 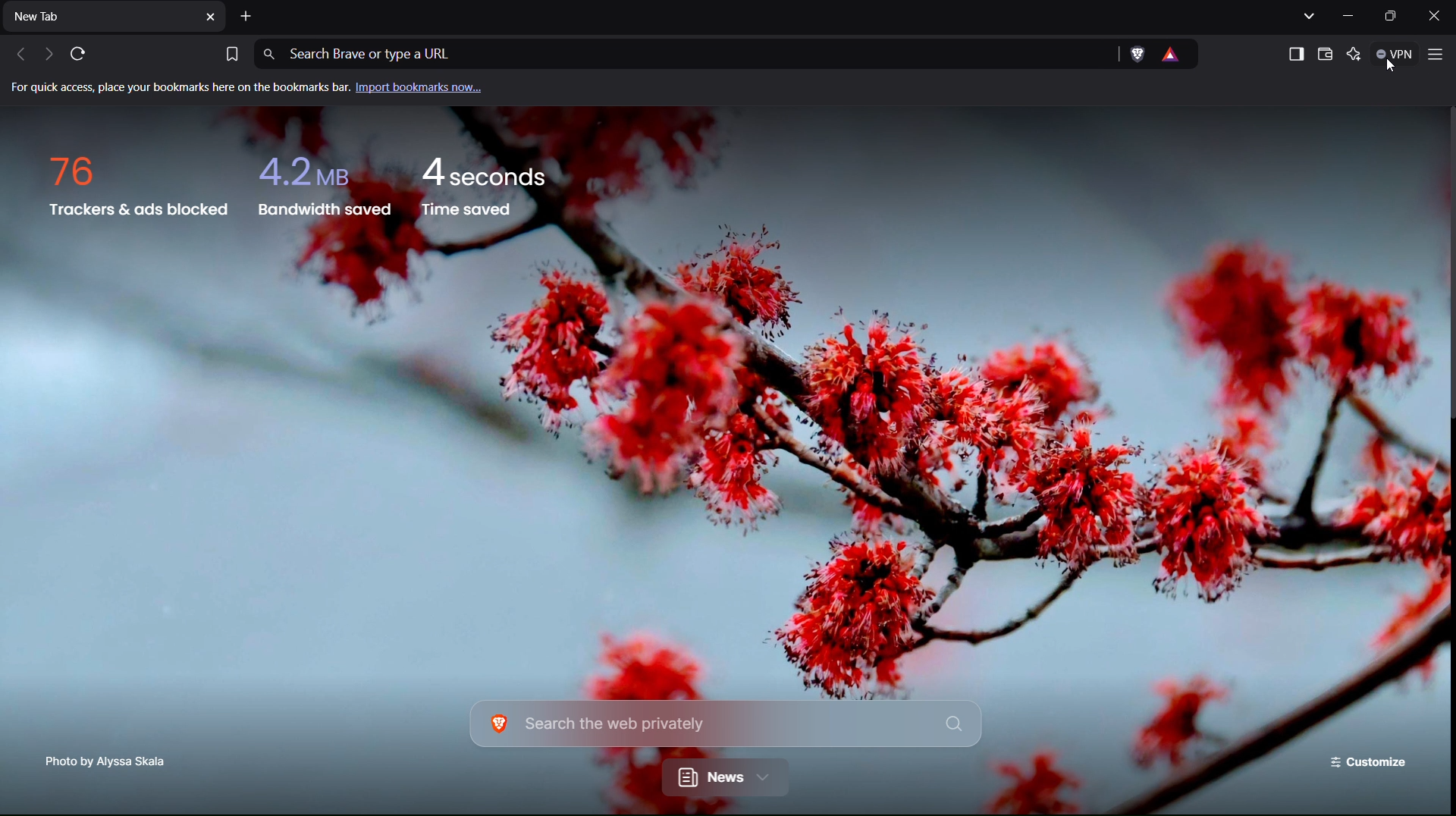 What do you see at coordinates (140, 189) in the screenshot?
I see `Trackers and ads blocked` at bounding box center [140, 189].